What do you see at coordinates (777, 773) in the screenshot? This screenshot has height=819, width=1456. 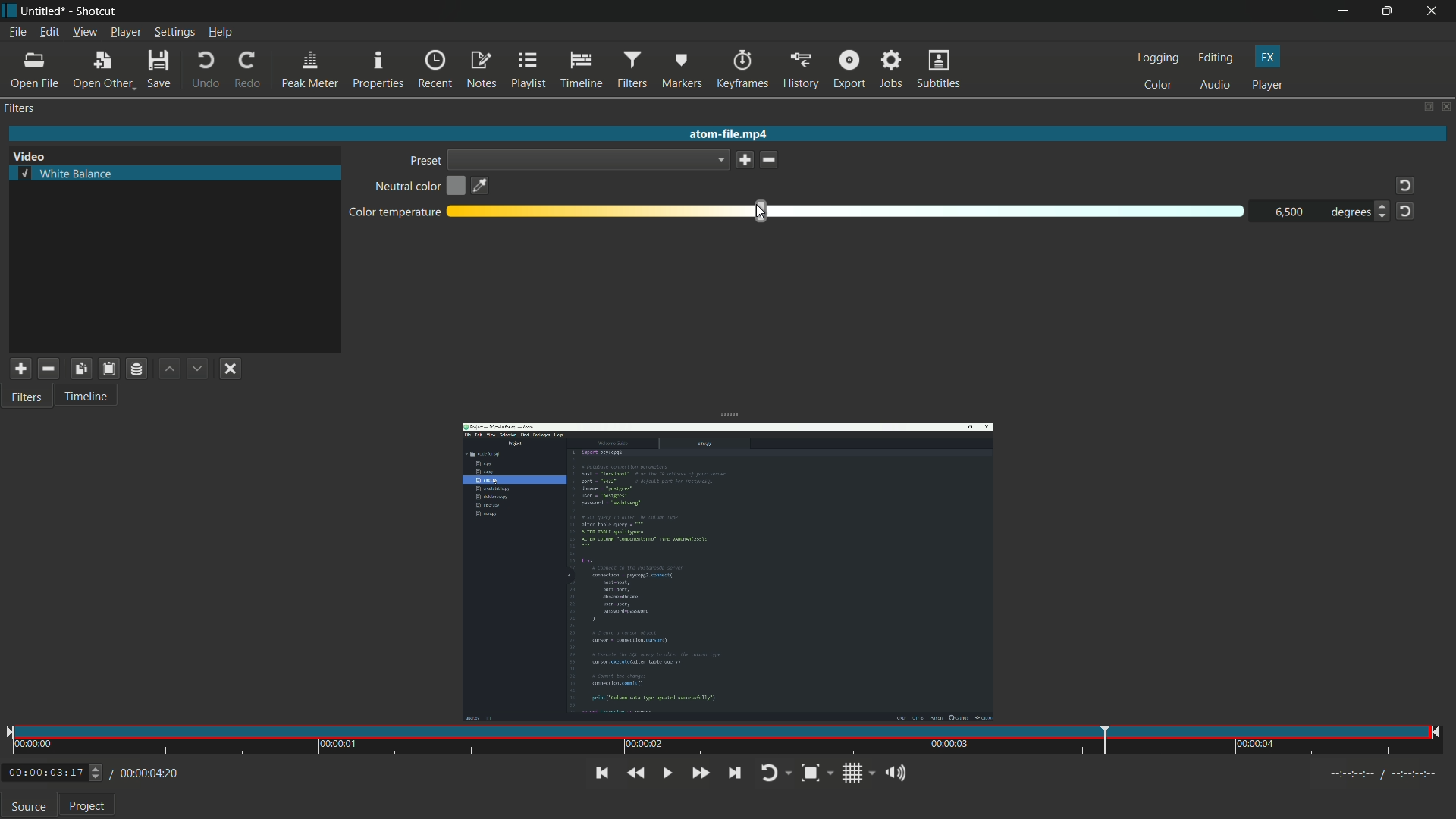 I see `toggle player looping` at bounding box center [777, 773].